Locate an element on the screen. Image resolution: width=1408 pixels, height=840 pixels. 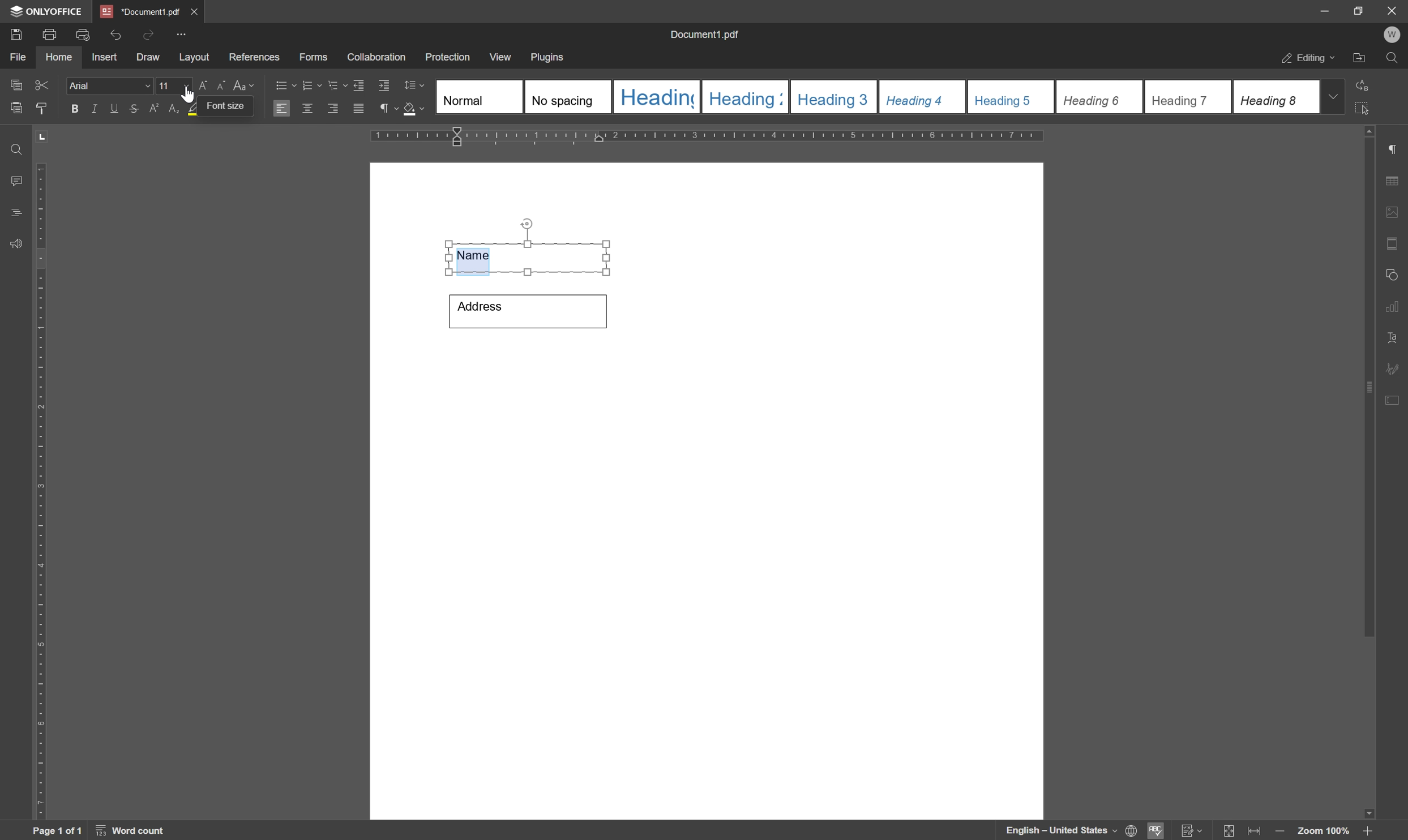
superscript is located at coordinates (154, 109).